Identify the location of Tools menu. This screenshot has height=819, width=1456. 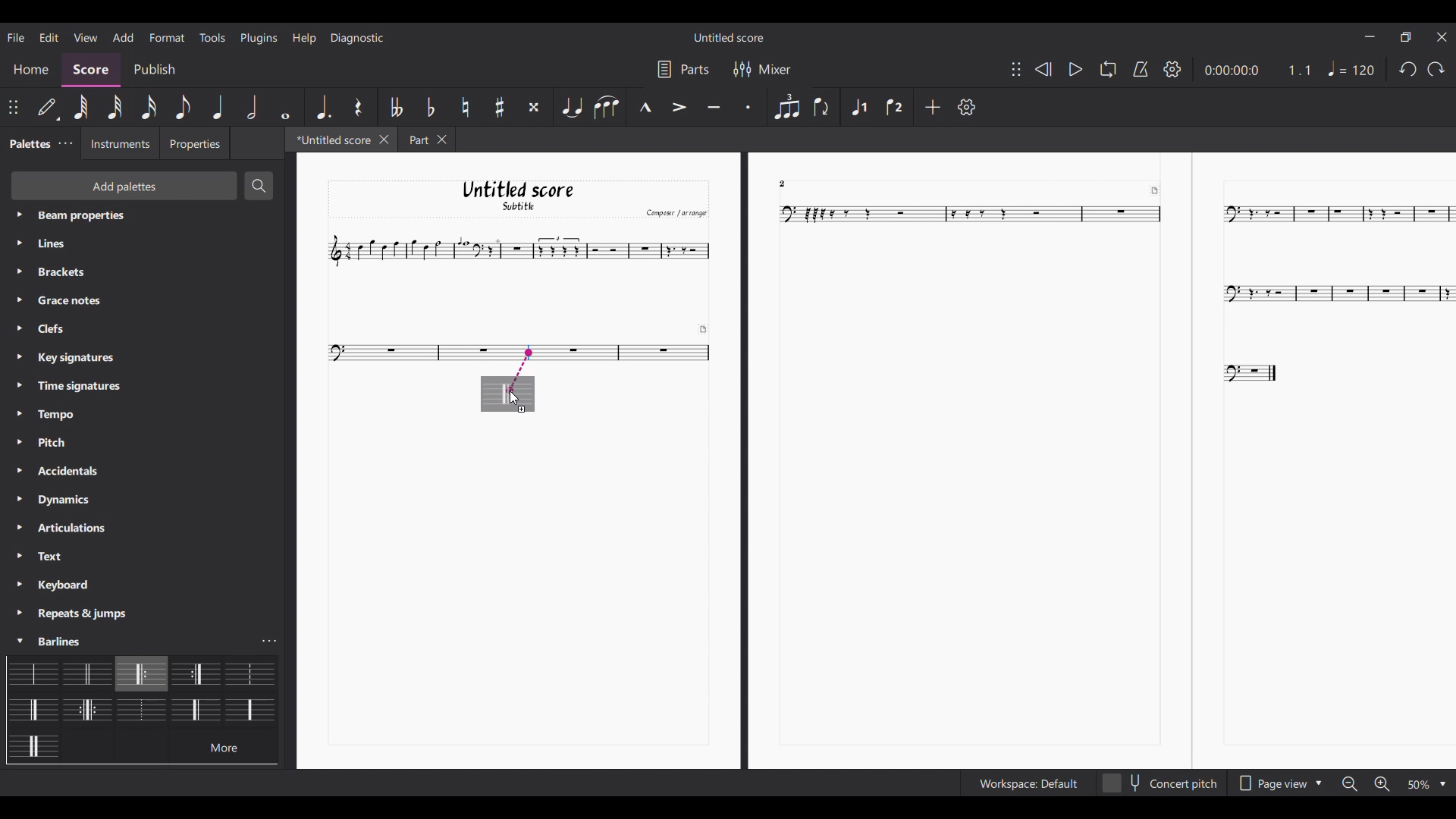
(212, 37).